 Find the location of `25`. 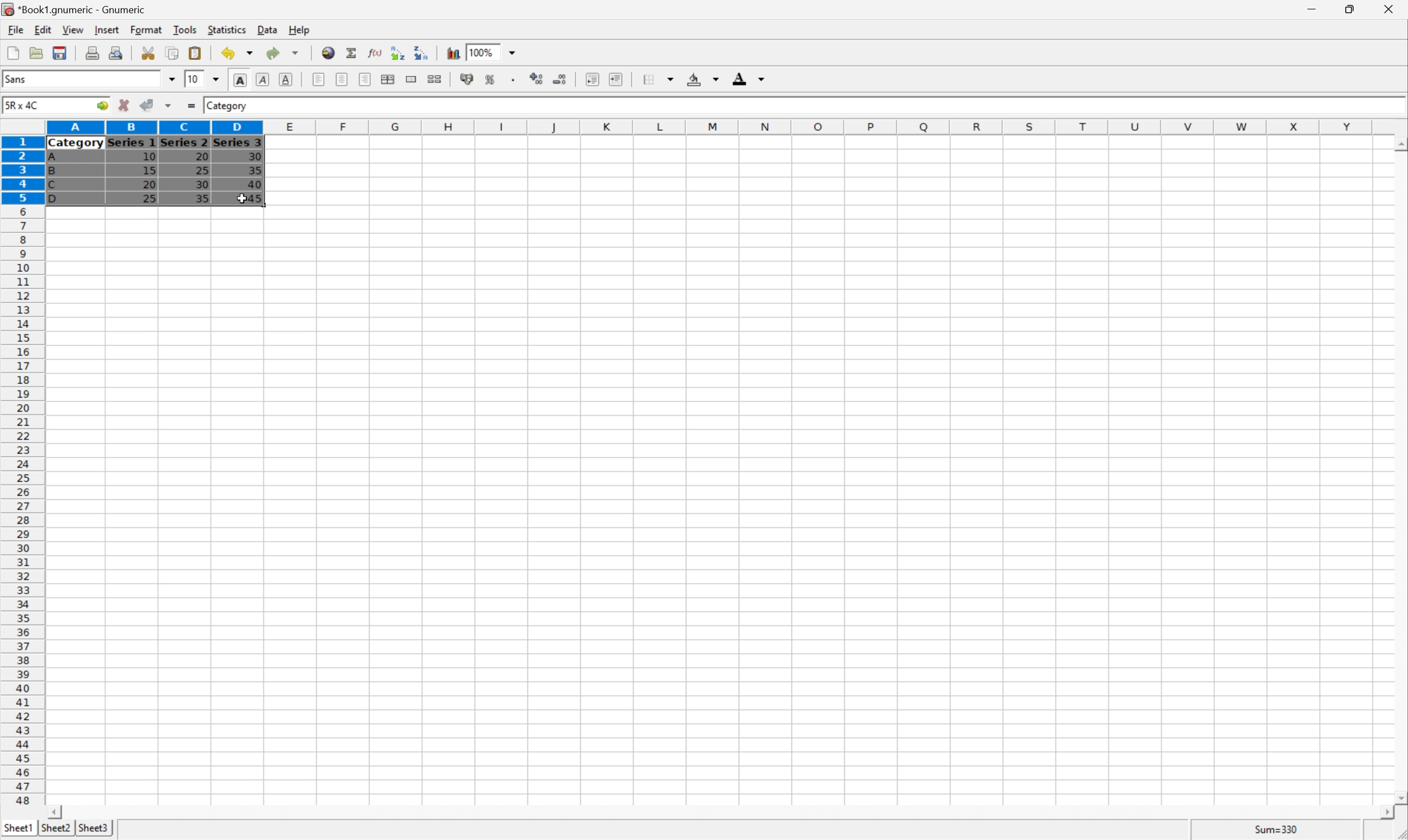

25 is located at coordinates (149, 199).